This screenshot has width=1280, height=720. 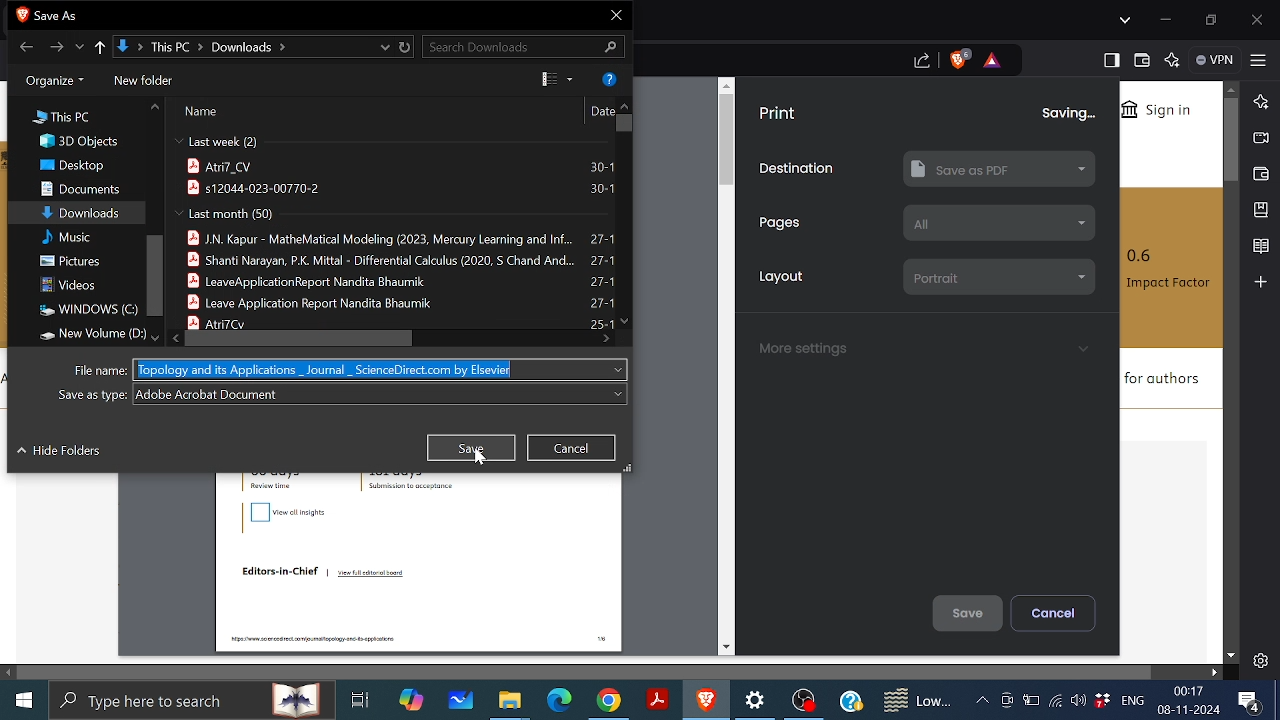 I want to click on Internet access, so click(x=1052, y=701).